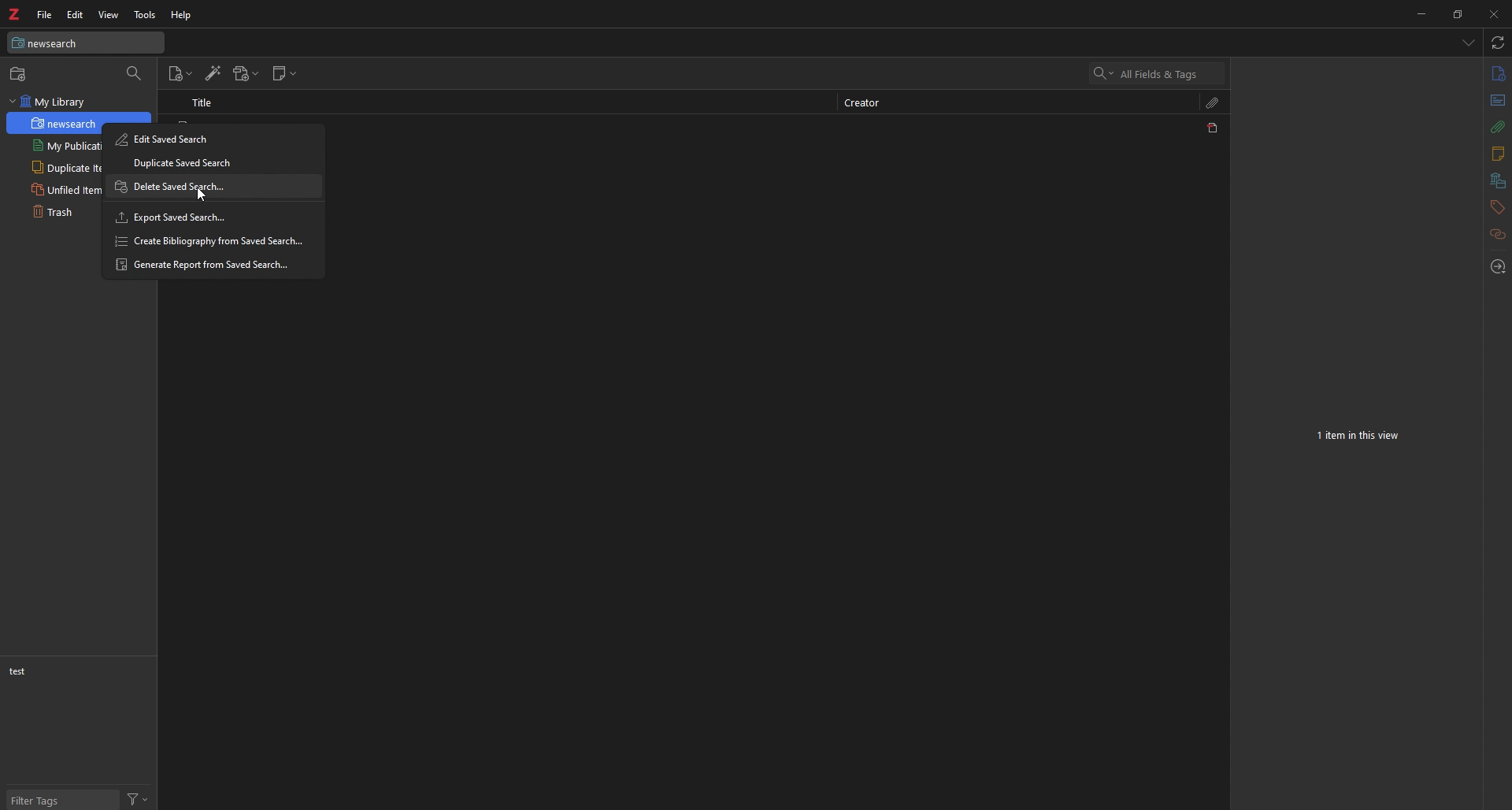  Describe the element at coordinates (1098, 73) in the screenshot. I see `Search options` at that location.